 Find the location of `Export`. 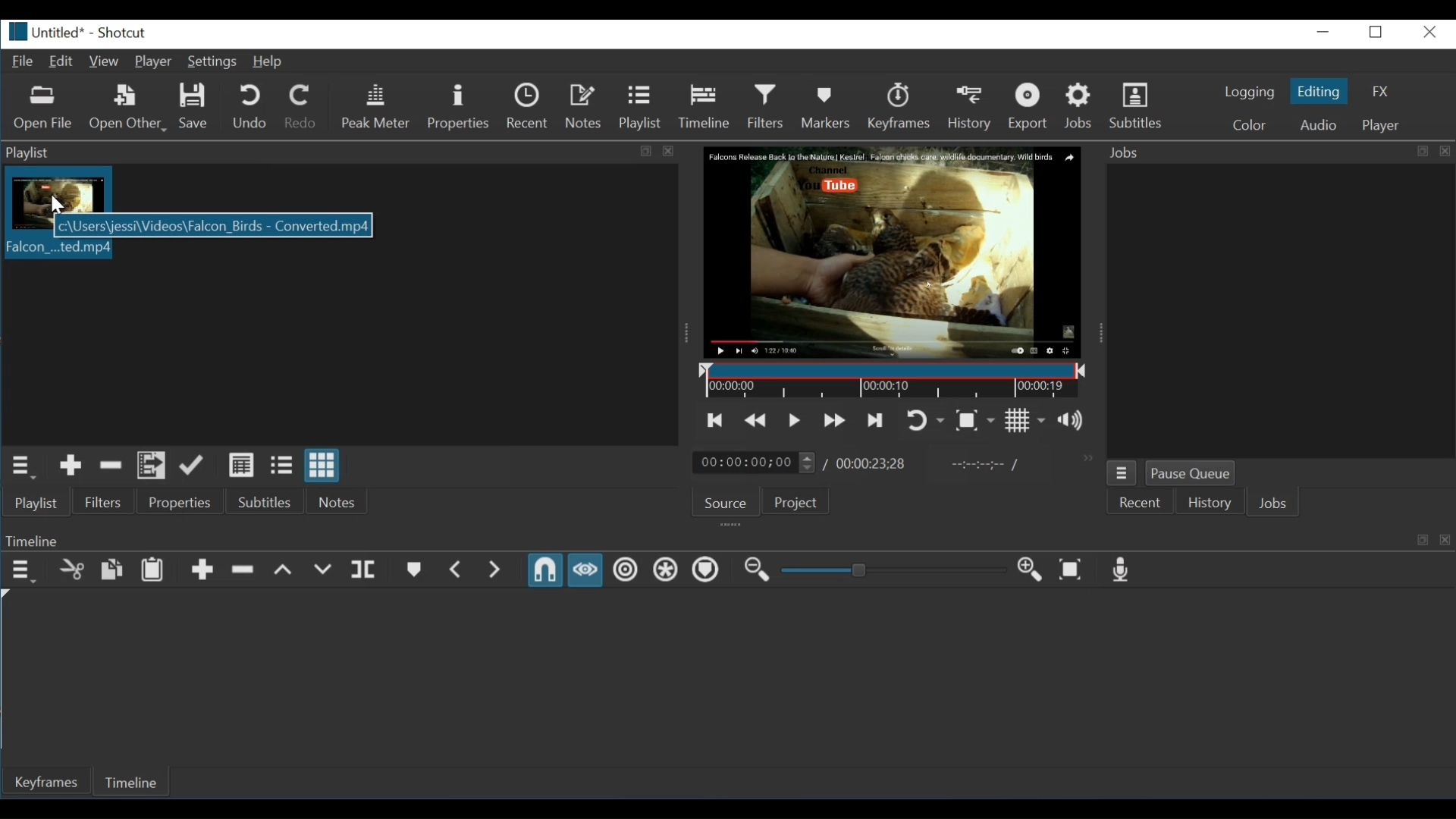

Export is located at coordinates (1034, 106).